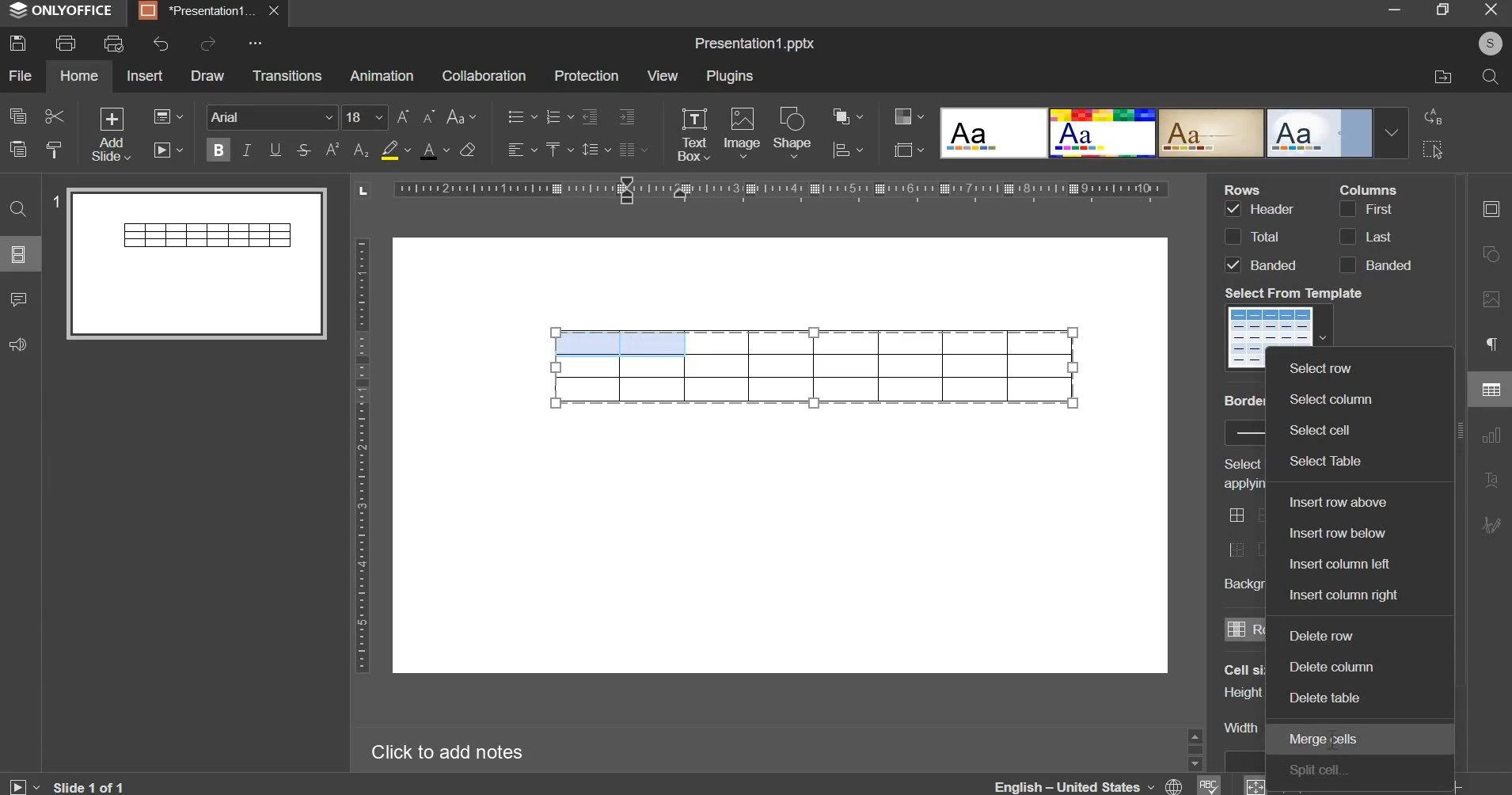 The image size is (1512, 795). What do you see at coordinates (794, 132) in the screenshot?
I see `shape` at bounding box center [794, 132].